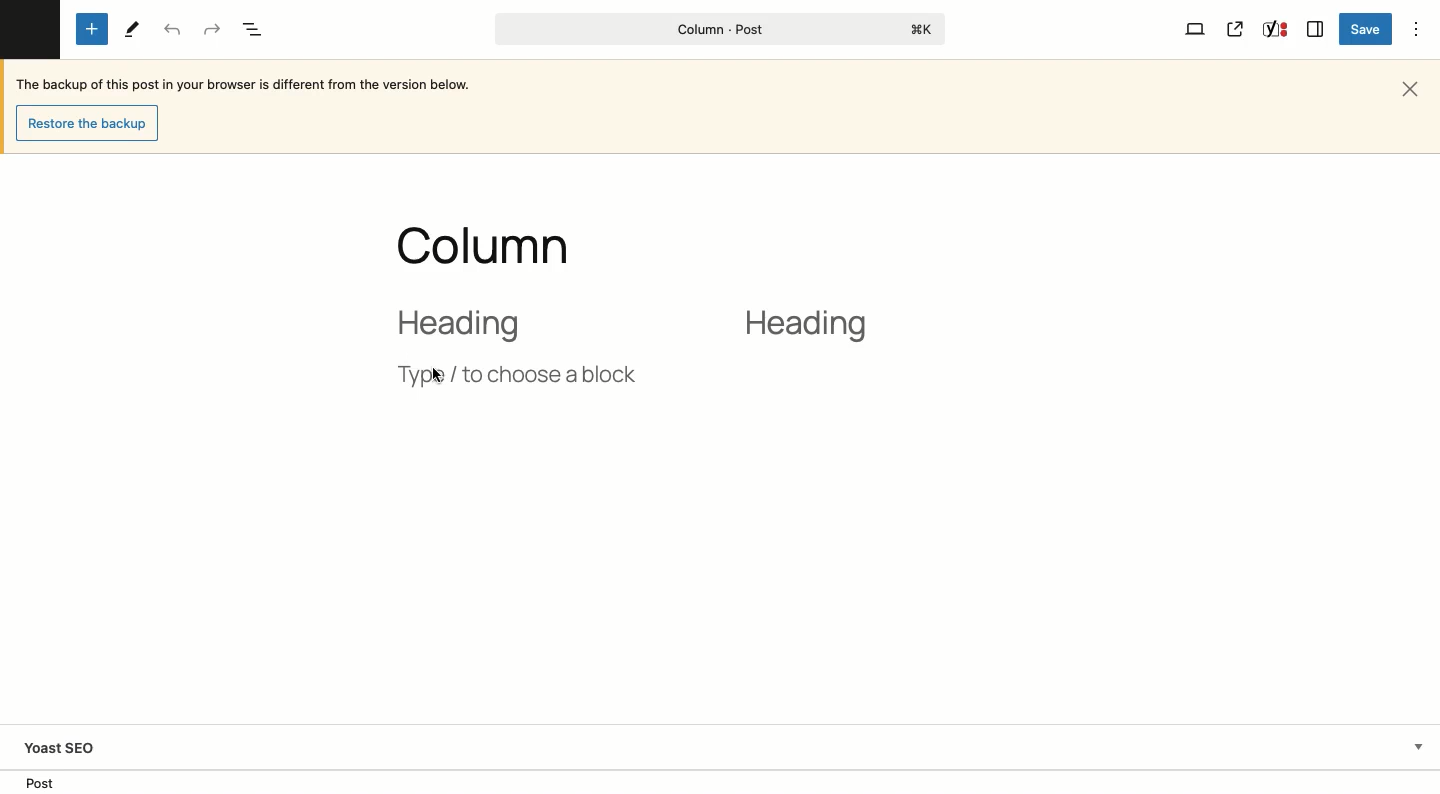 This screenshot has height=794, width=1440. Describe the element at coordinates (1273, 31) in the screenshot. I see `Yoast` at that location.